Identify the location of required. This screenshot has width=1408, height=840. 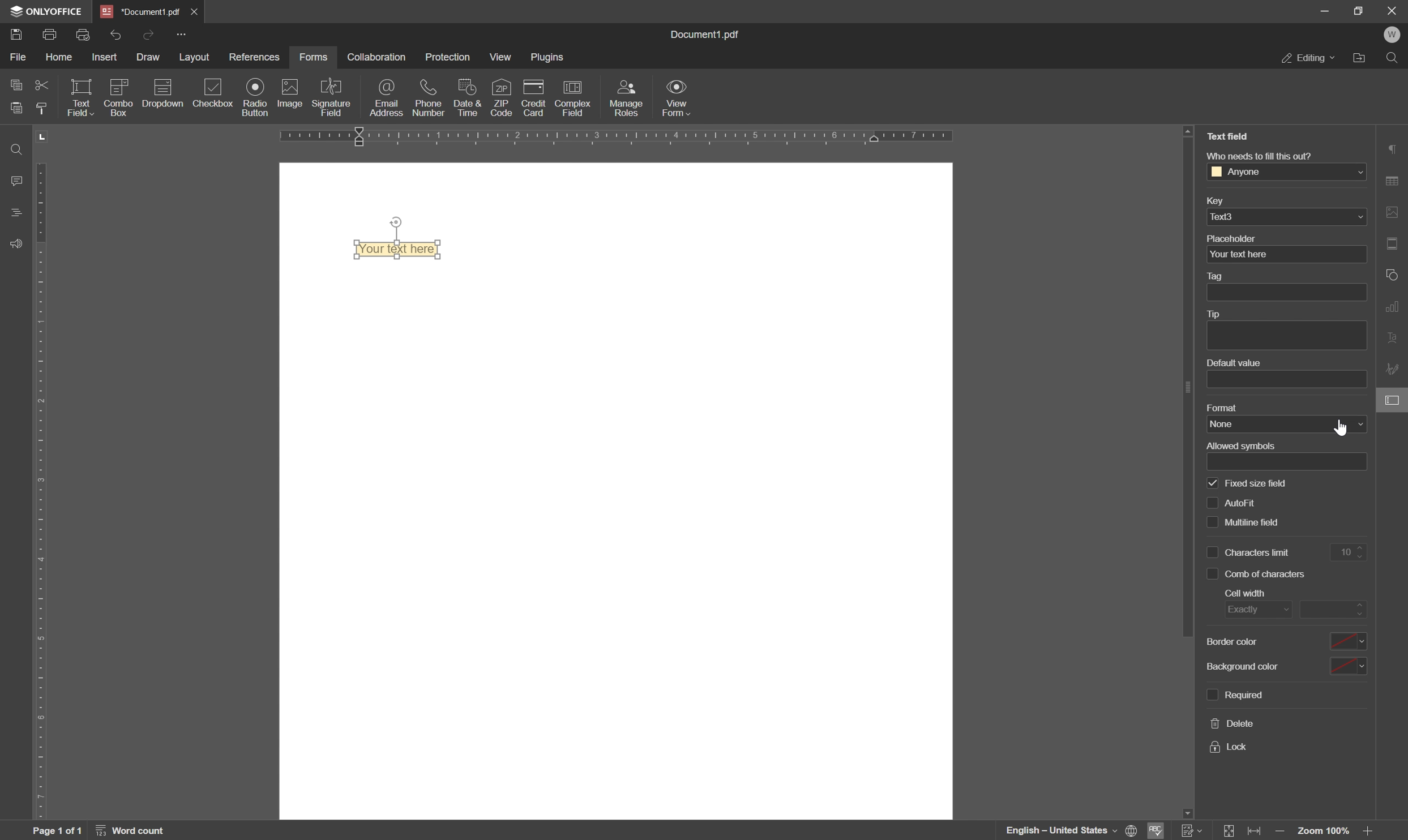
(1244, 693).